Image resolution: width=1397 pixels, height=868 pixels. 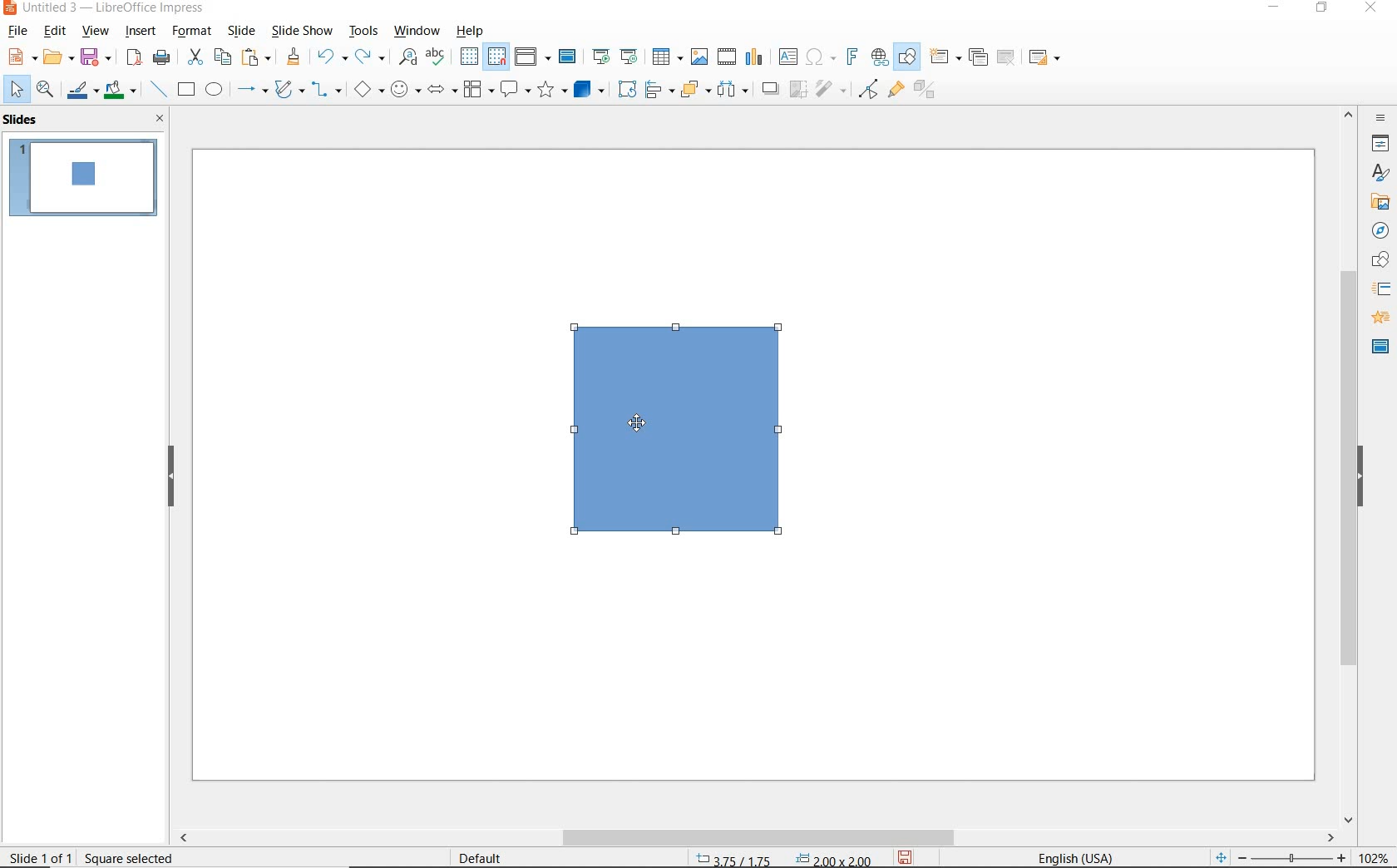 I want to click on toggle point edit mode, so click(x=867, y=91).